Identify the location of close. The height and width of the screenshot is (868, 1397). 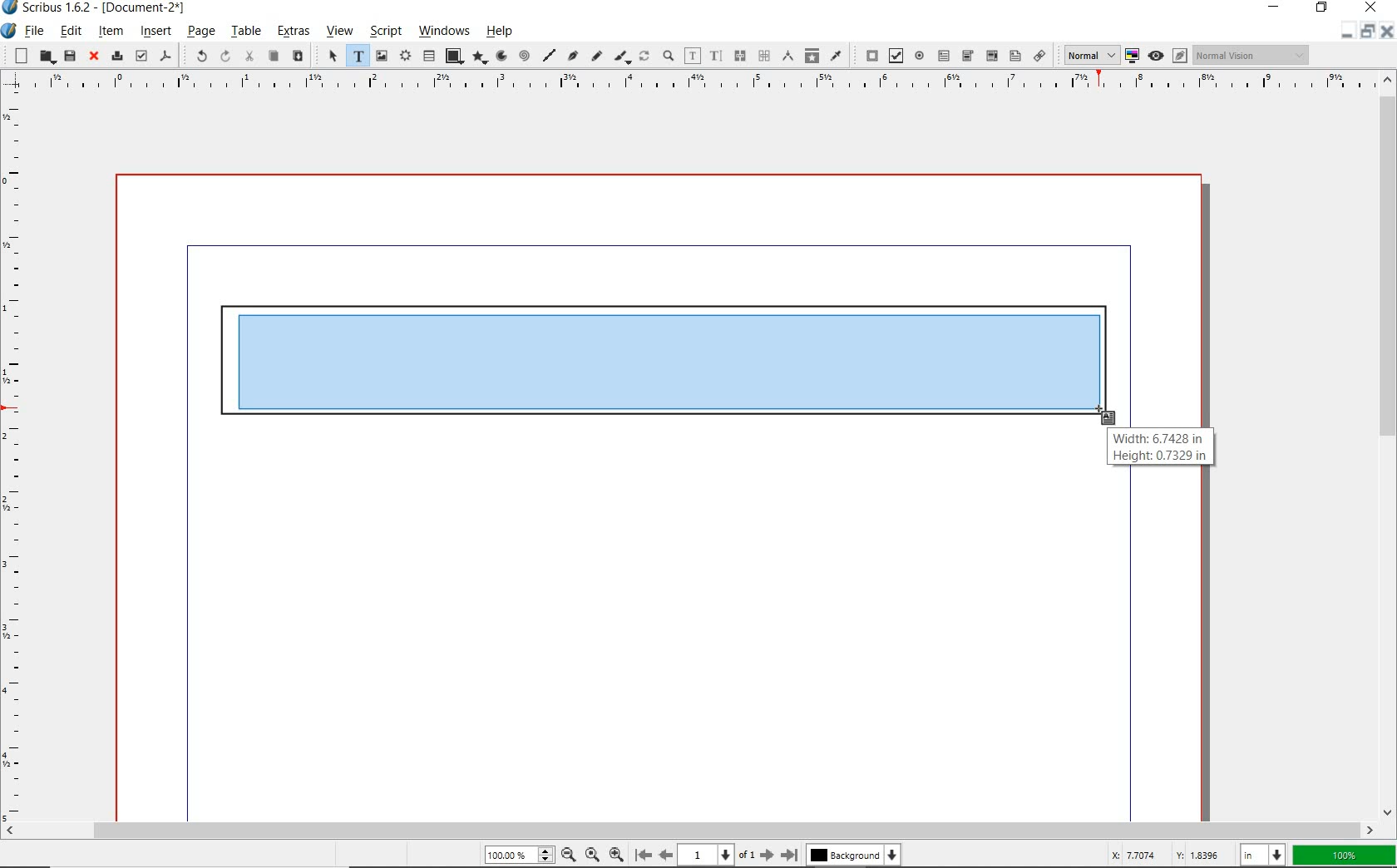
(1370, 8).